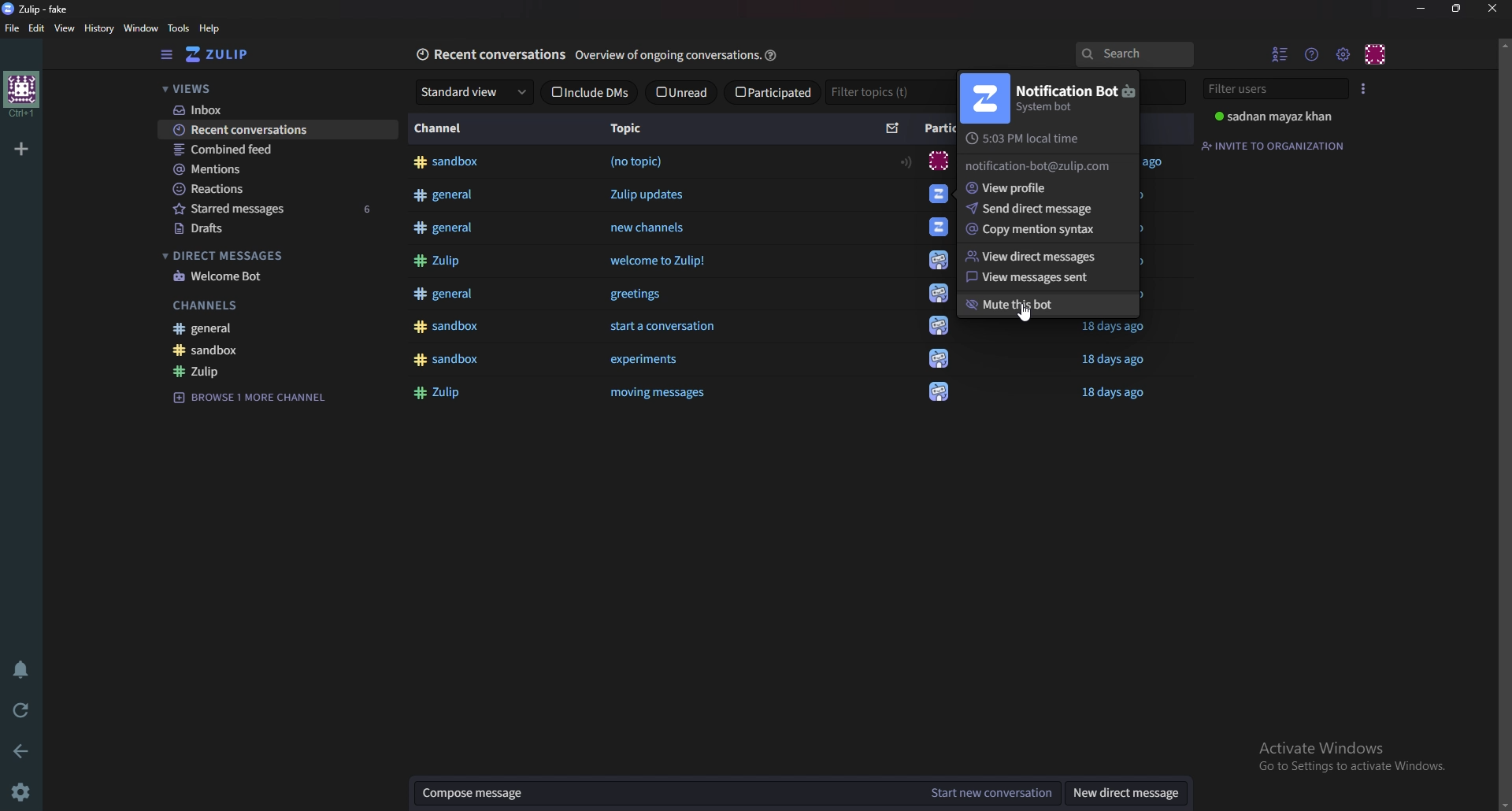  Describe the element at coordinates (22, 670) in the screenshot. I see `Enable do not disturb` at that location.